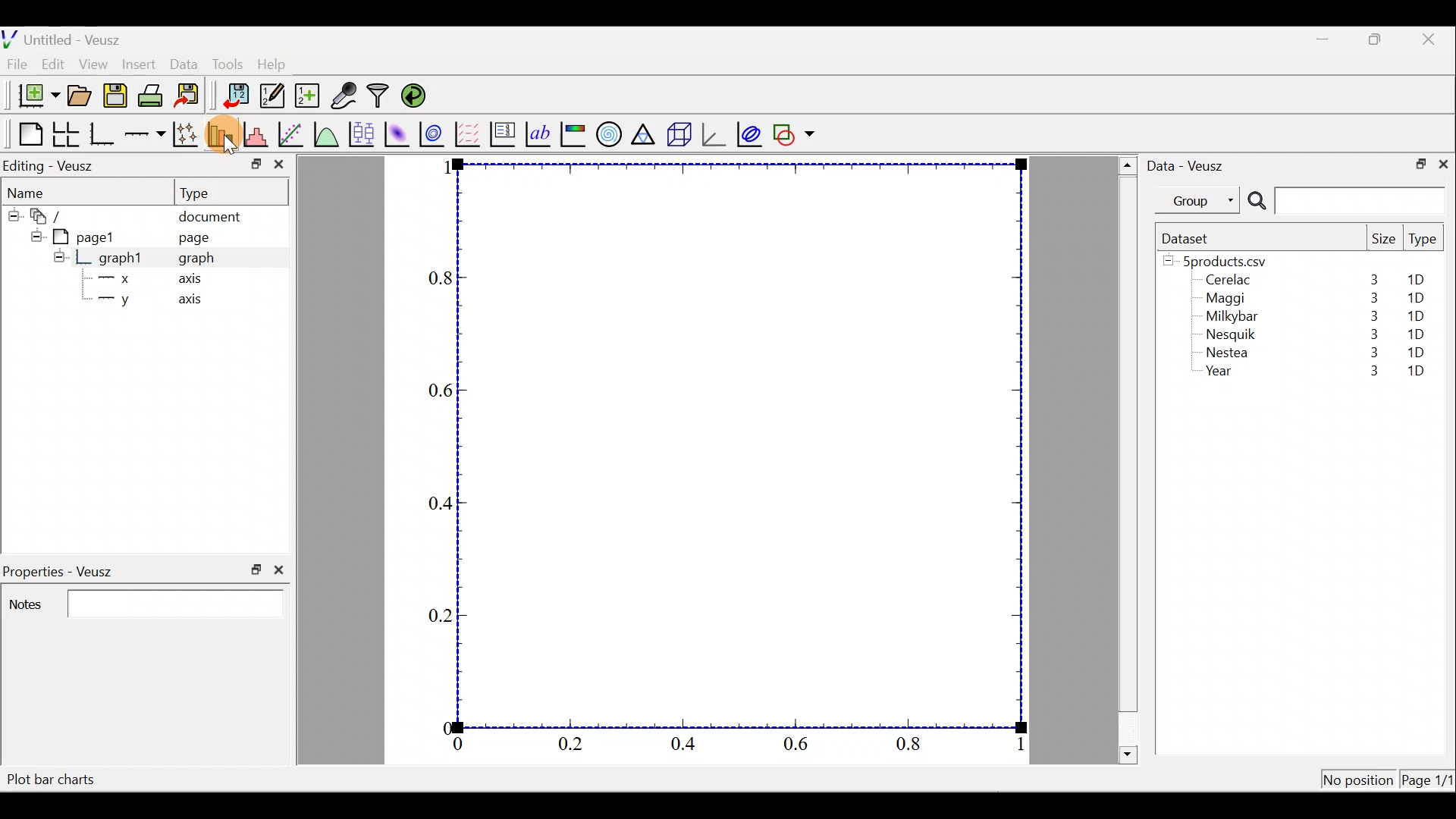  Describe the element at coordinates (272, 96) in the screenshot. I see `Edit and enter new datasets` at that location.